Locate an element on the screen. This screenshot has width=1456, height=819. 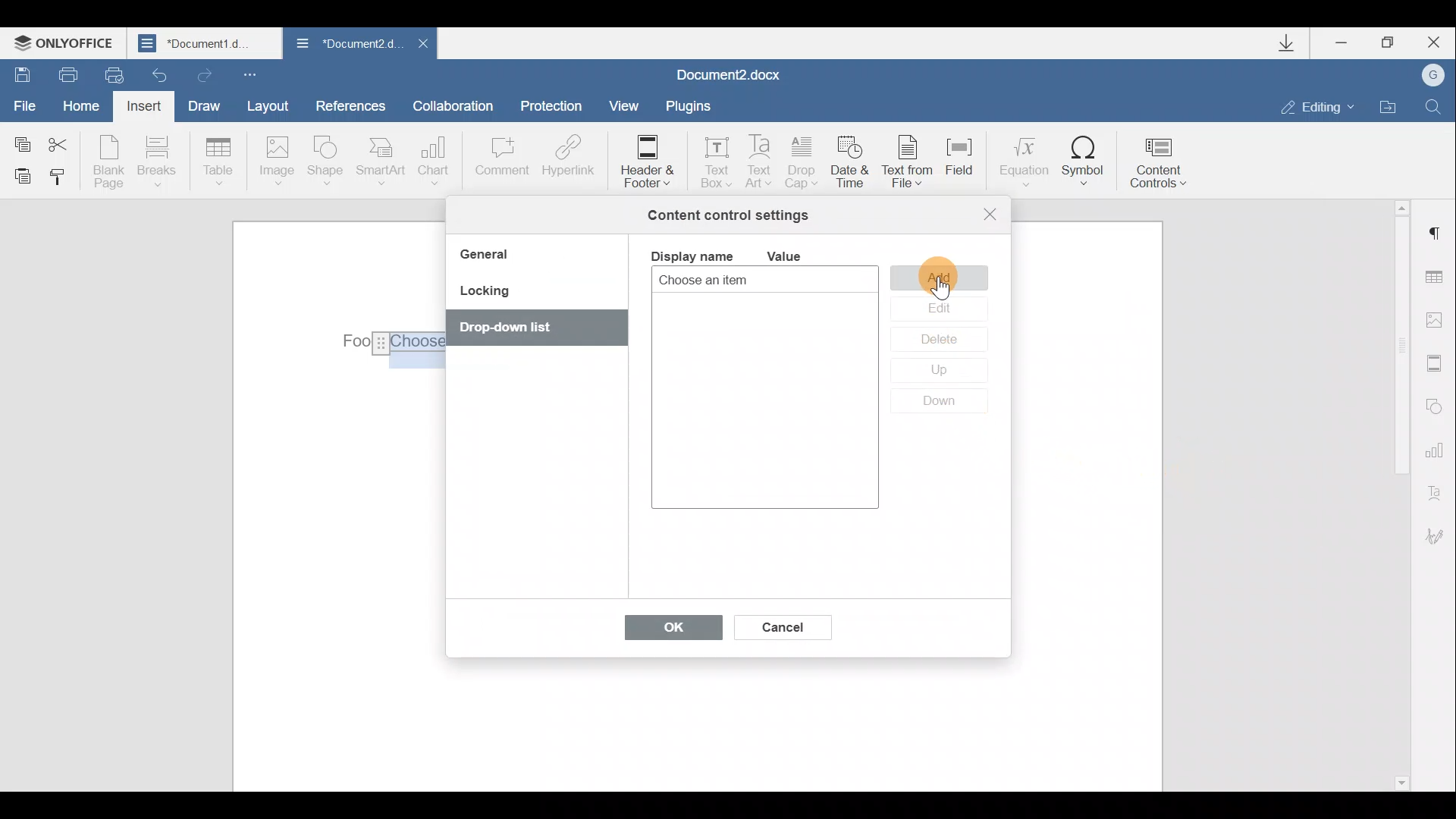
Document2.docx is located at coordinates (730, 73).